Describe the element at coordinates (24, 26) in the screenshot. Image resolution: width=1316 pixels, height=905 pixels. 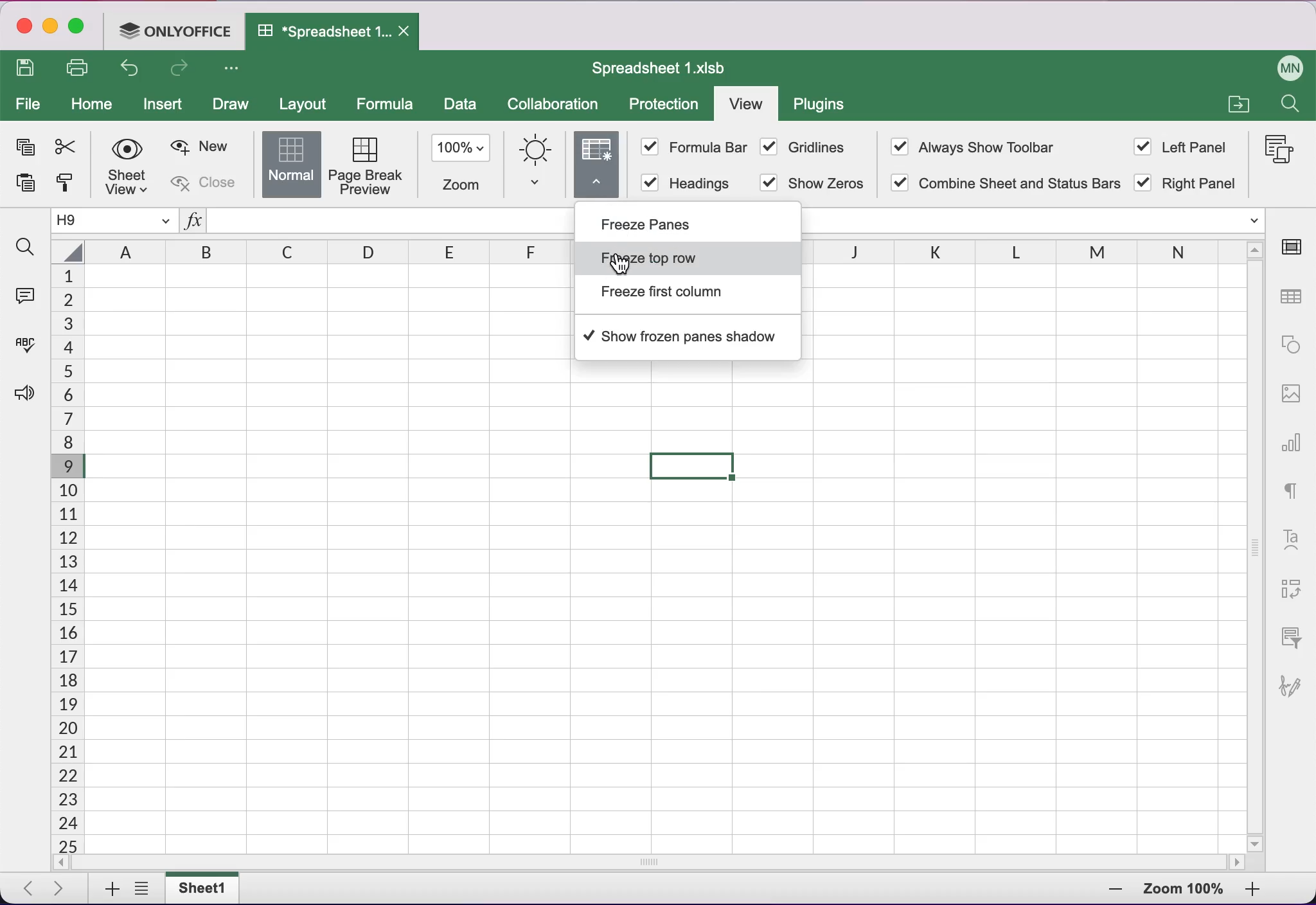
I see `close` at that location.